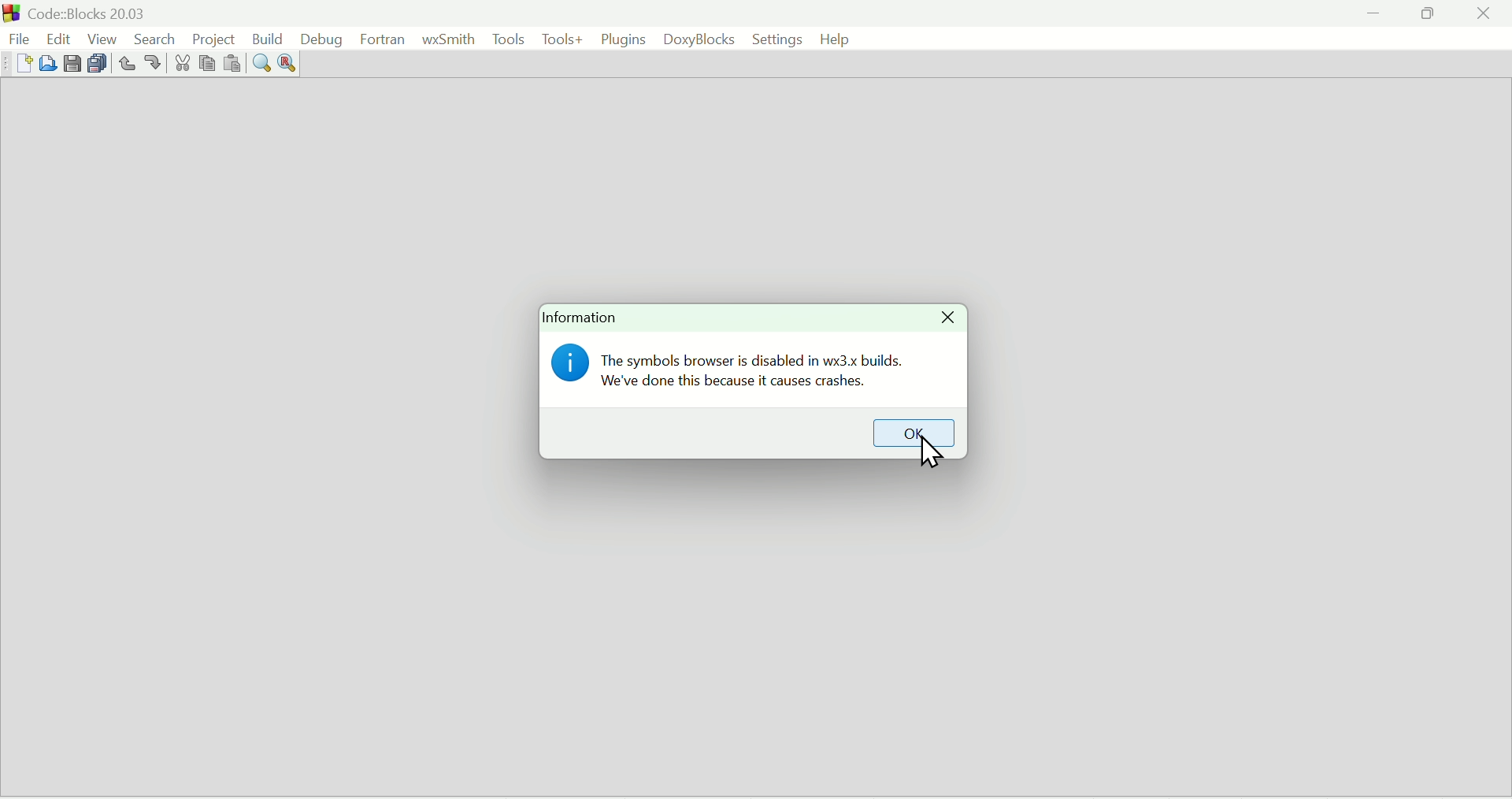 The height and width of the screenshot is (799, 1512). Describe the element at coordinates (91, 11) in the screenshot. I see `Code: Blocks Version` at that location.